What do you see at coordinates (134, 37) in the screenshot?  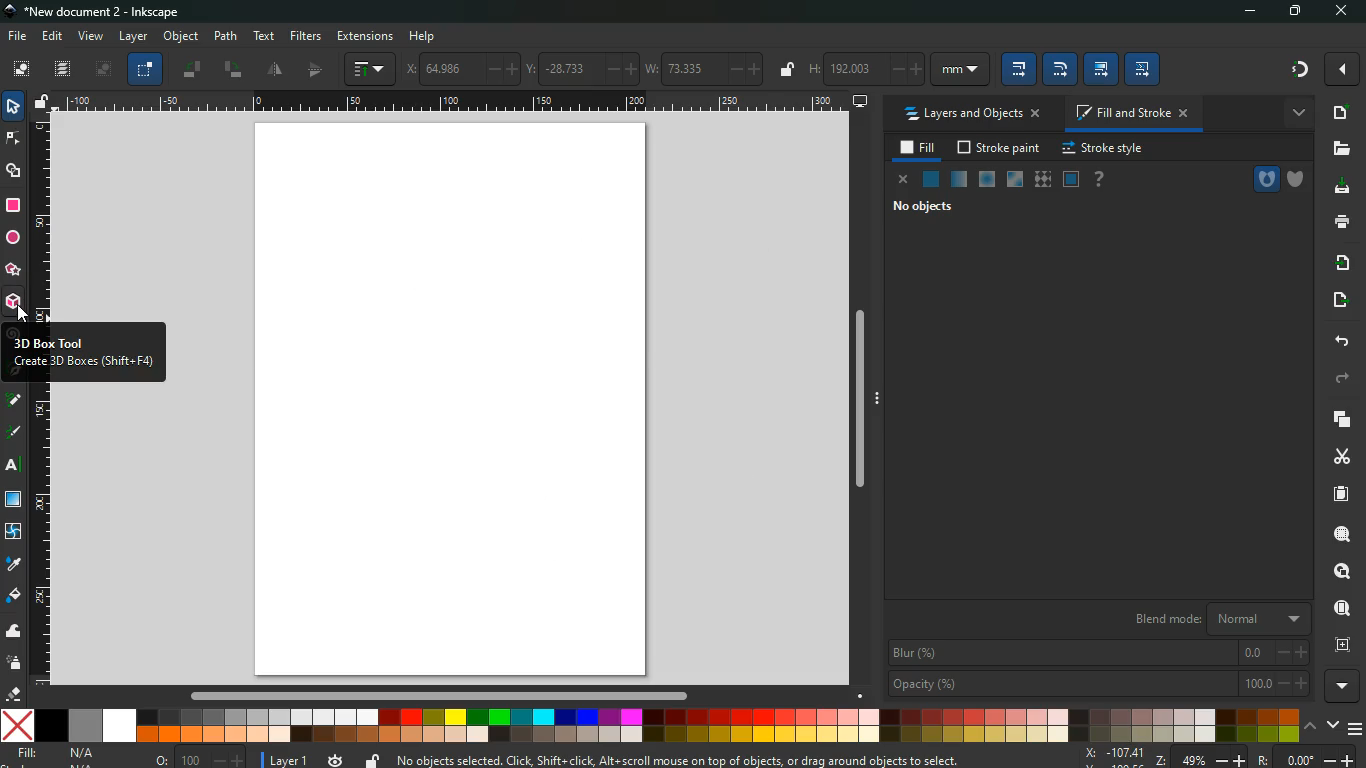 I see `layer` at bounding box center [134, 37].